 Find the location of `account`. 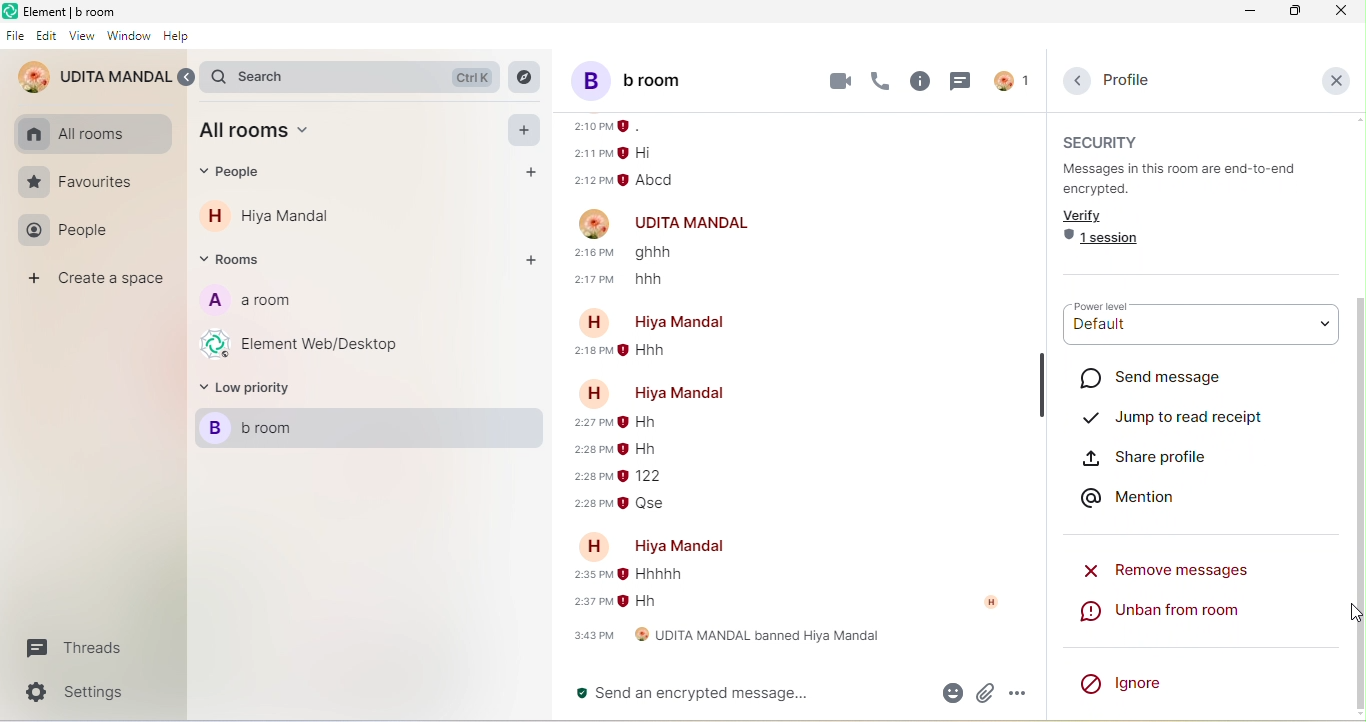

account is located at coordinates (1010, 80).